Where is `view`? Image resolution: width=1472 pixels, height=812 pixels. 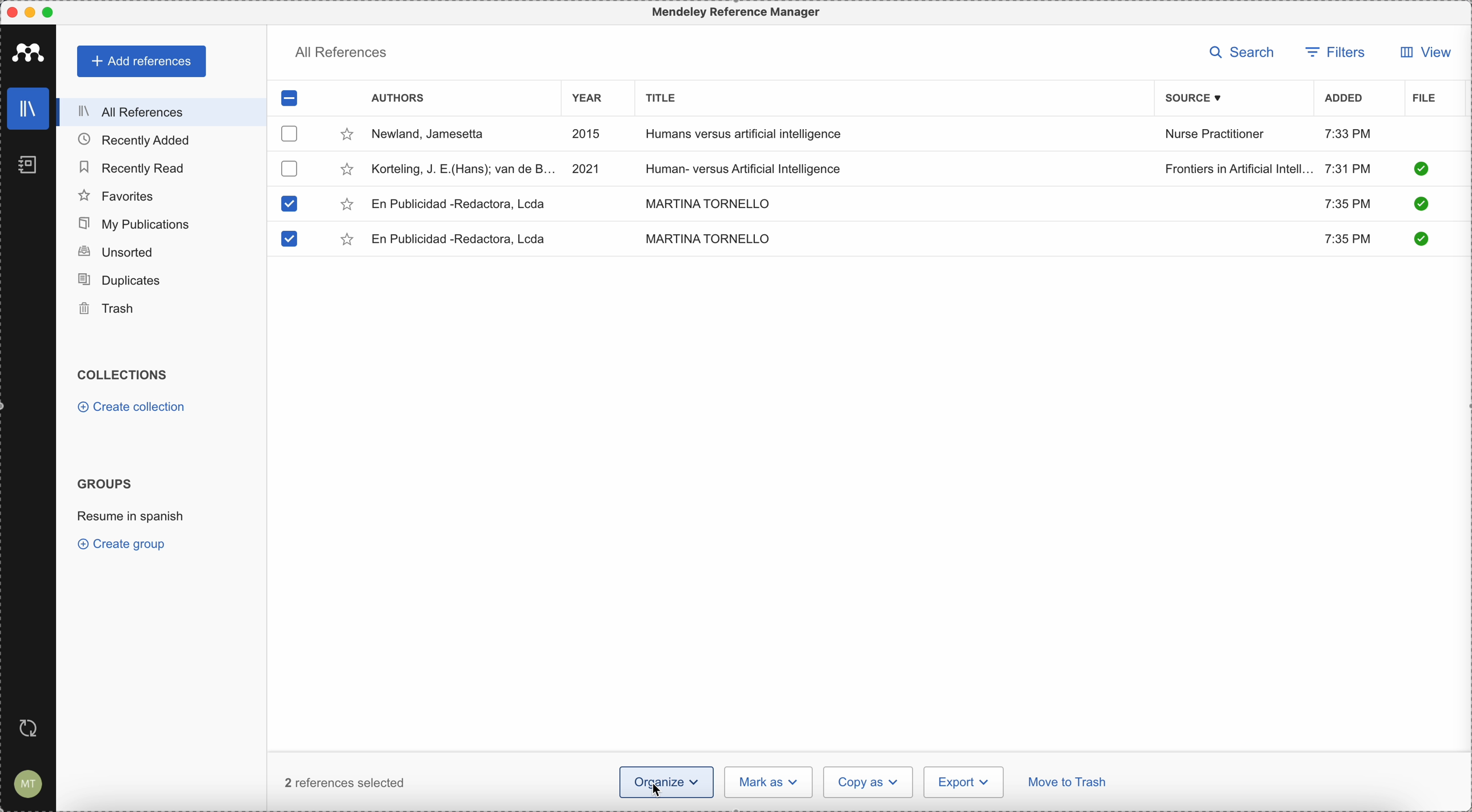
view is located at coordinates (1422, 52).